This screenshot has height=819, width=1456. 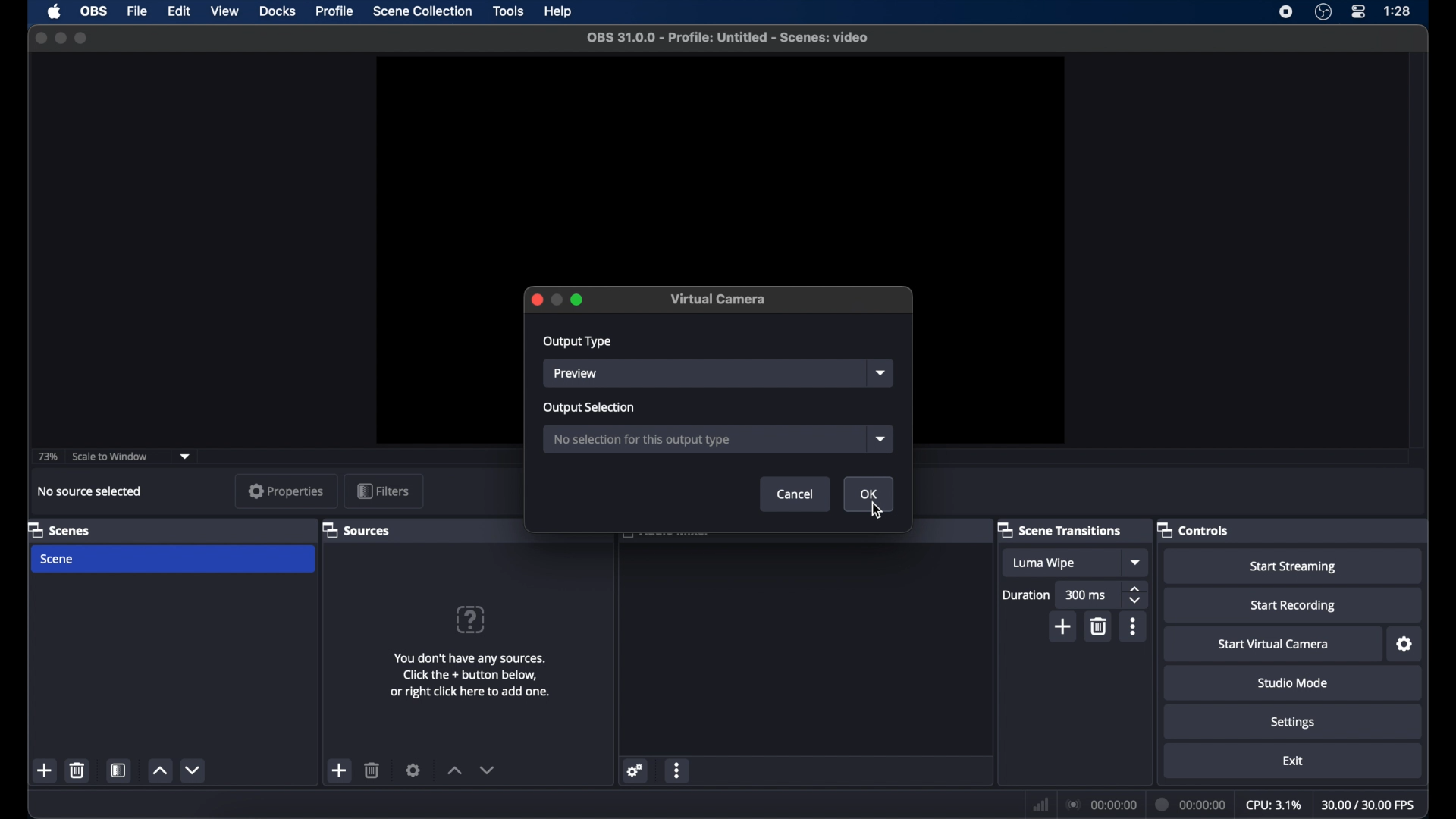 What do you see at coordinates (335, 11) in the screenshot?
I see `profile` at bounding box center [335, 11].